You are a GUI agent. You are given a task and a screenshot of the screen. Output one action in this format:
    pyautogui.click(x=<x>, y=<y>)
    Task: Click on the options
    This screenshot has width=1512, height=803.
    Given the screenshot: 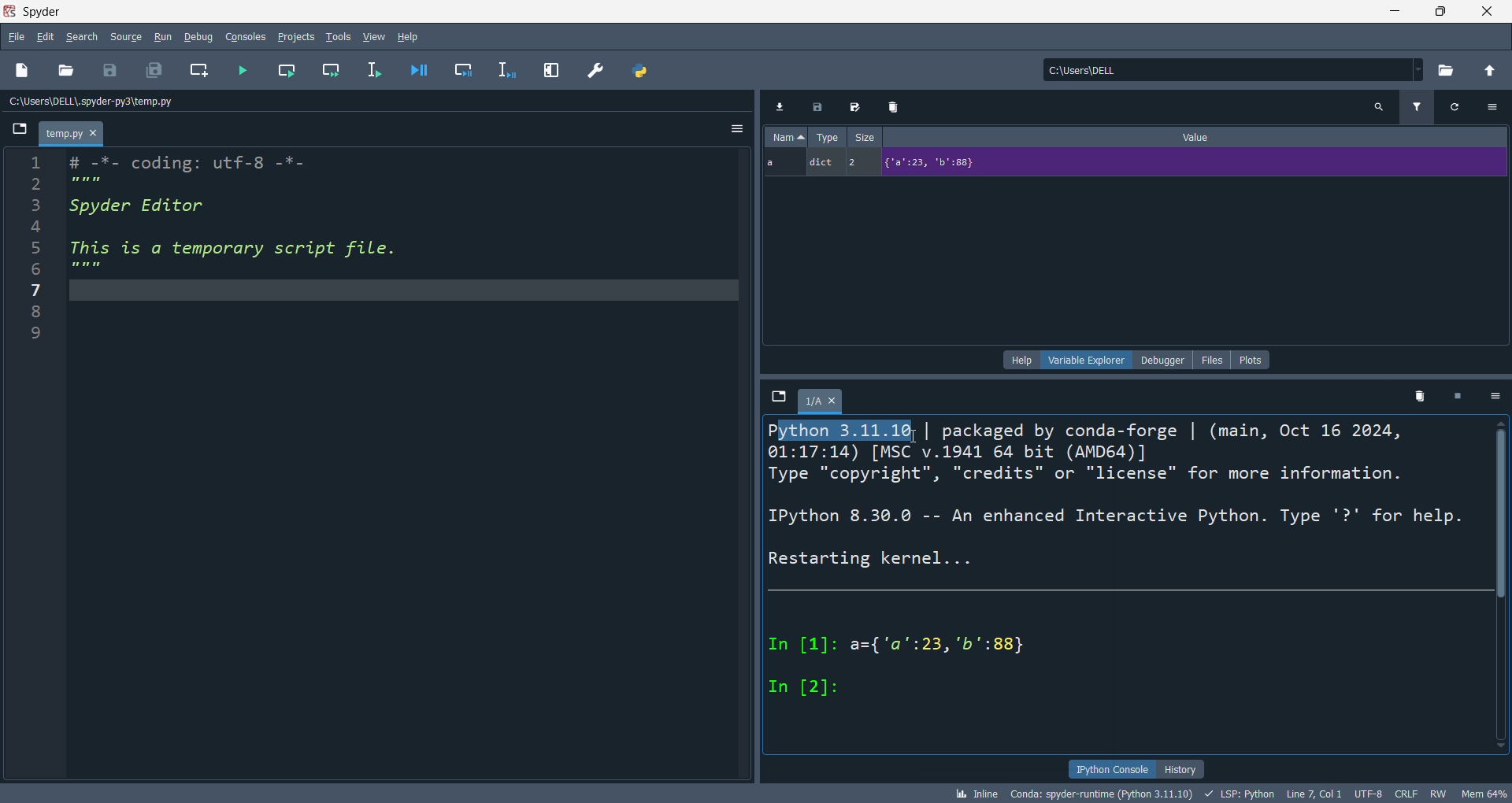 What is the action you would take?
    pyautogui.click(x=1498, y=397)
    